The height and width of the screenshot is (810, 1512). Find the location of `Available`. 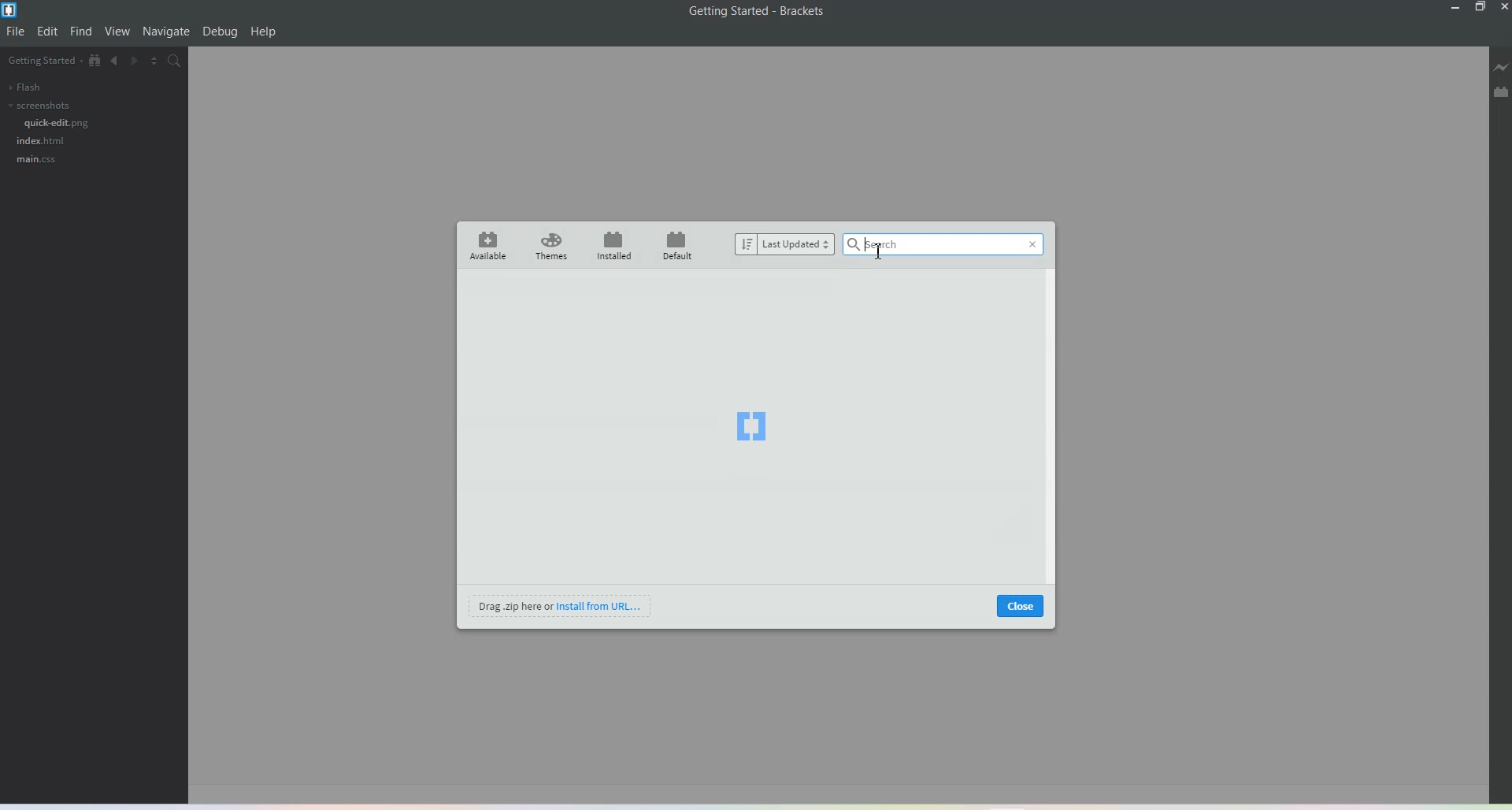

Available is located at coordinates (485, 245).